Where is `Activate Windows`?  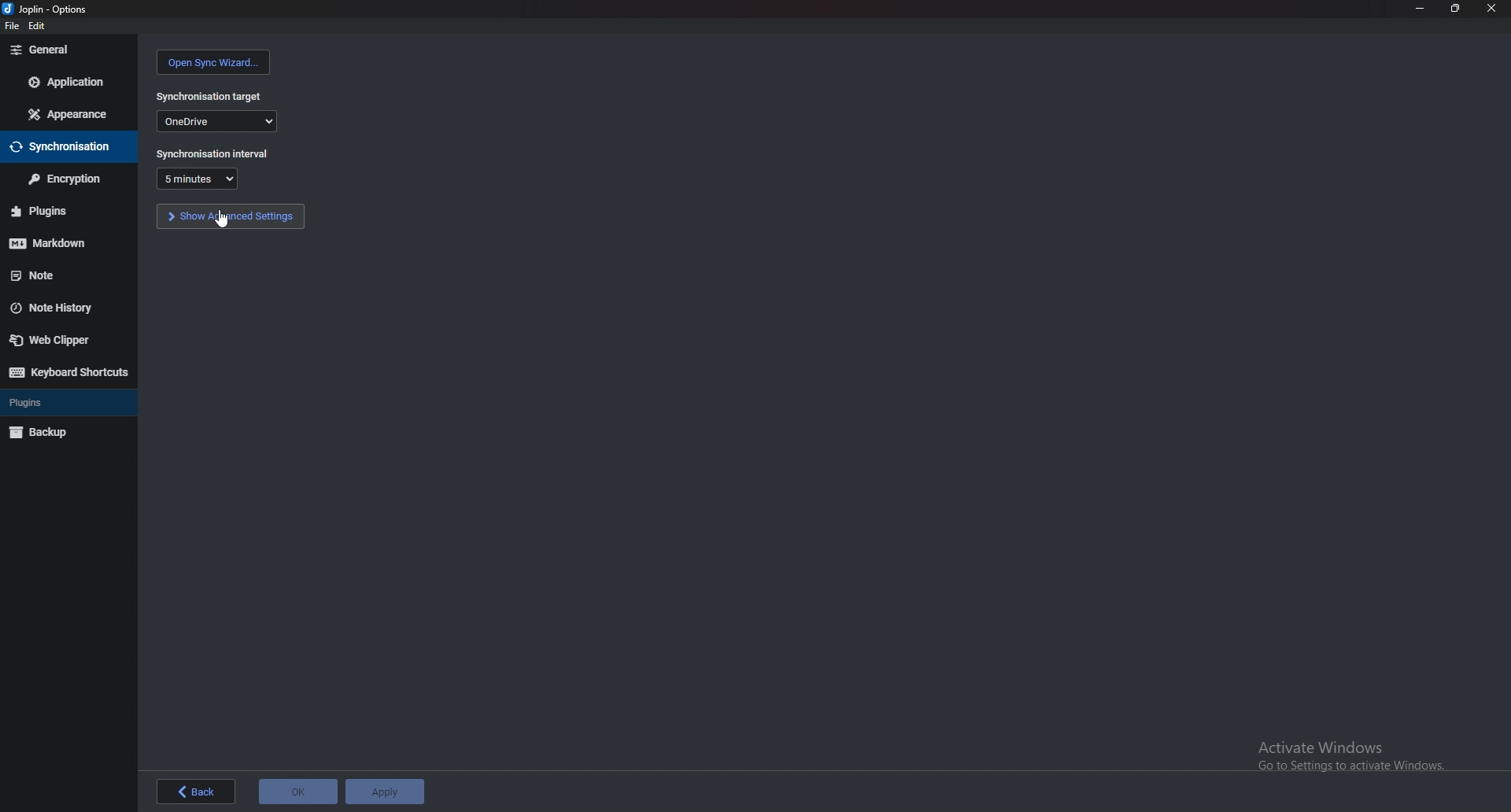 Activate Windows is located at coordinates (1341, 754).